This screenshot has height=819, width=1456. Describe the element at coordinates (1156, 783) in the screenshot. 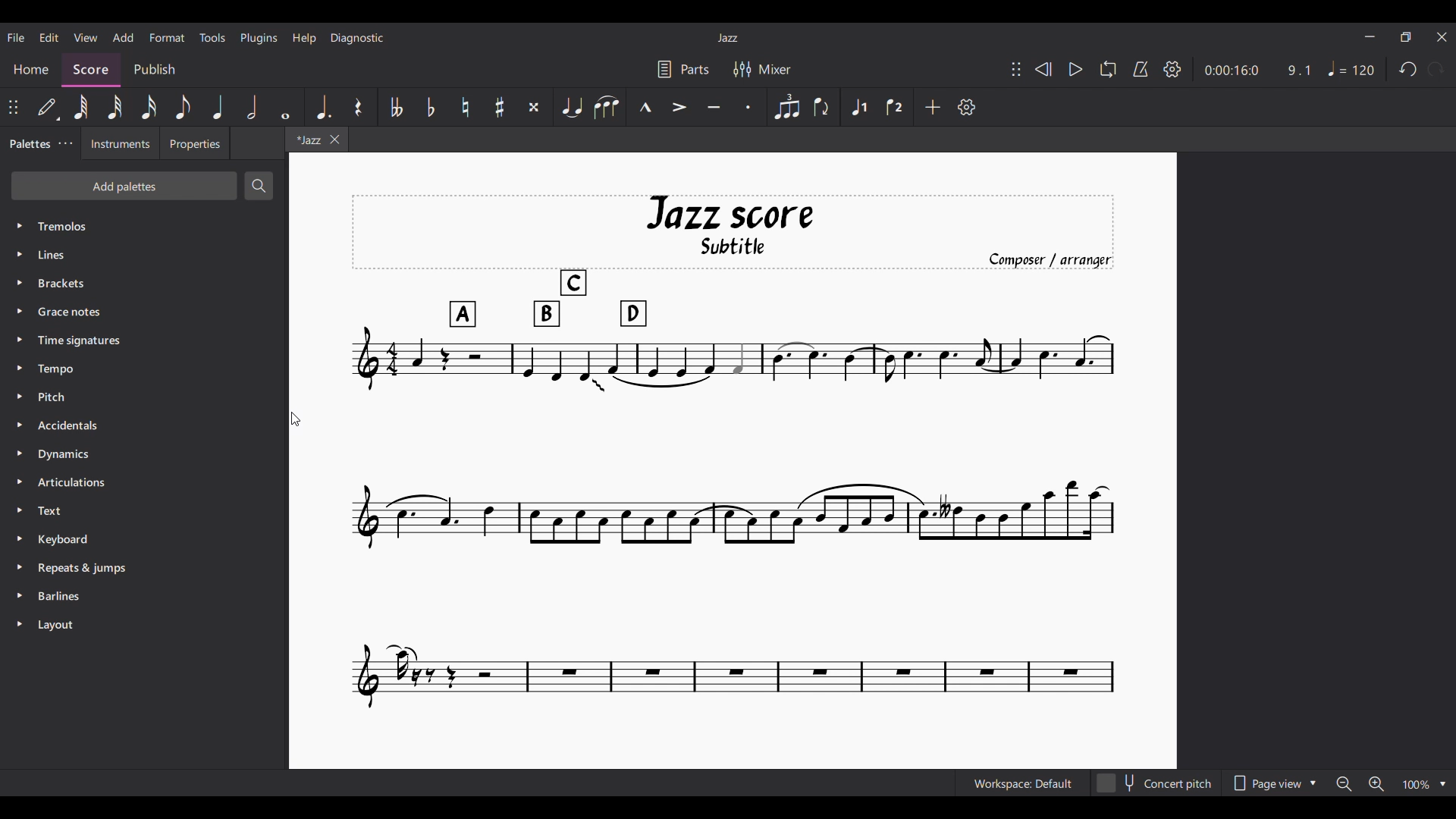

I see `Concert pitch toggle` at that location.